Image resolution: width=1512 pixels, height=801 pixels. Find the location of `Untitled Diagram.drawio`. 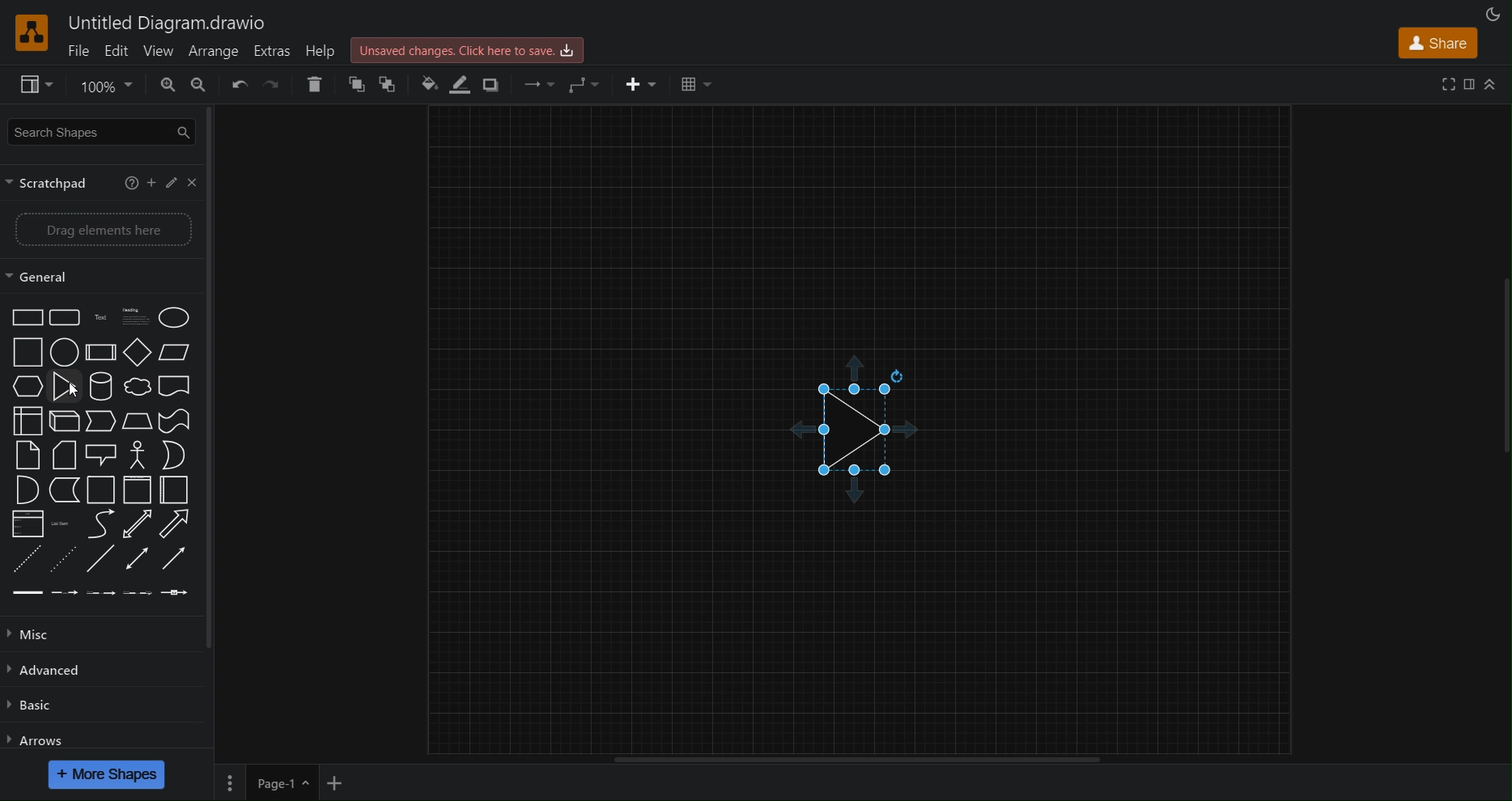

Untitled Diagram.drawio is located at coordinates (171, 23).